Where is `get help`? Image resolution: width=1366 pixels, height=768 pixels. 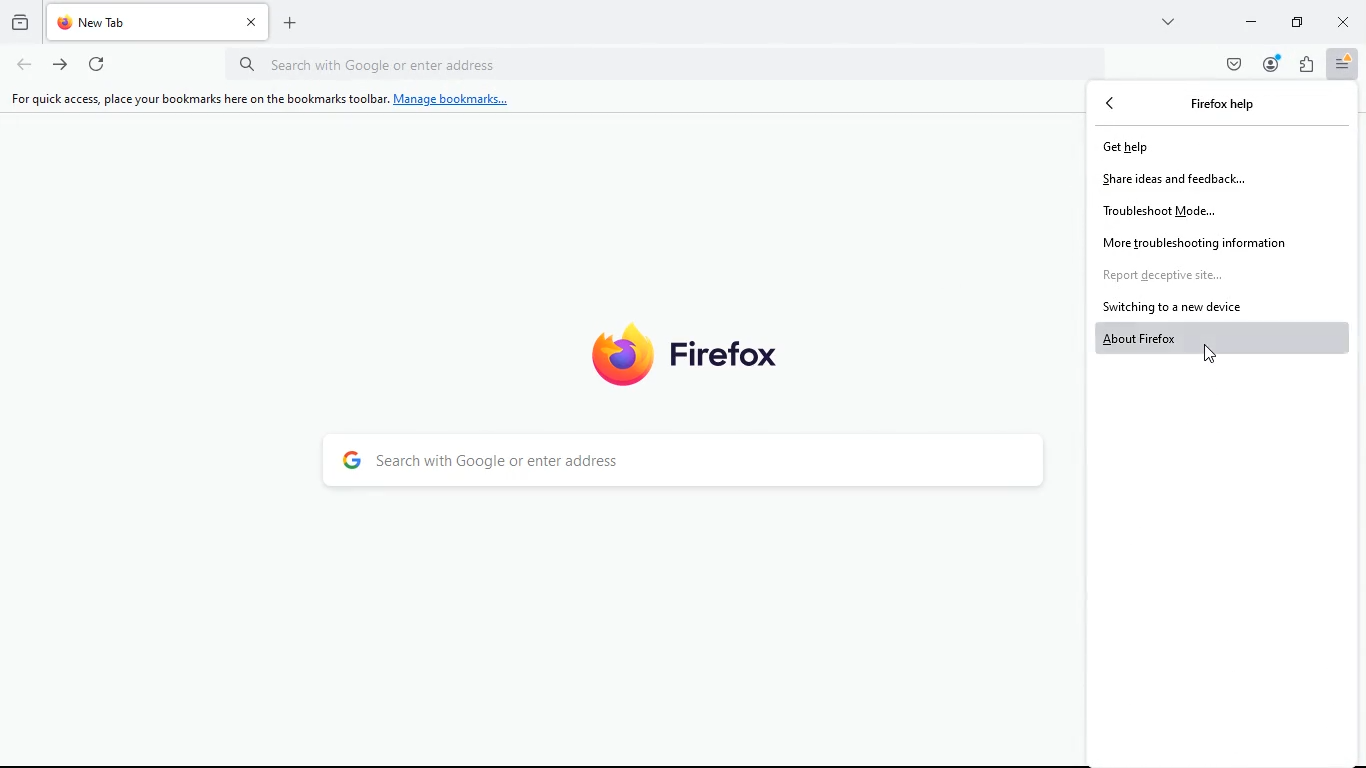
get help is located at coordinates (1145, 149).